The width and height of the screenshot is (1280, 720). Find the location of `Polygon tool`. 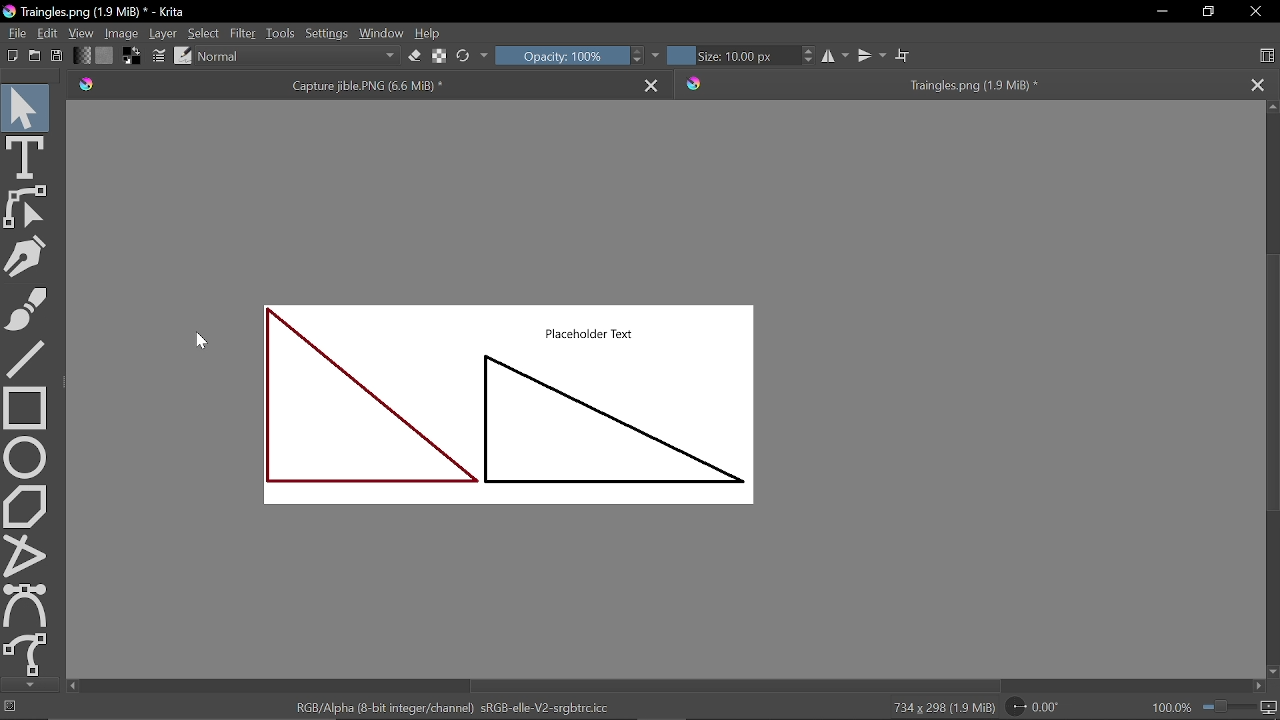

Polygon tool is located at coordinates (25, 507).